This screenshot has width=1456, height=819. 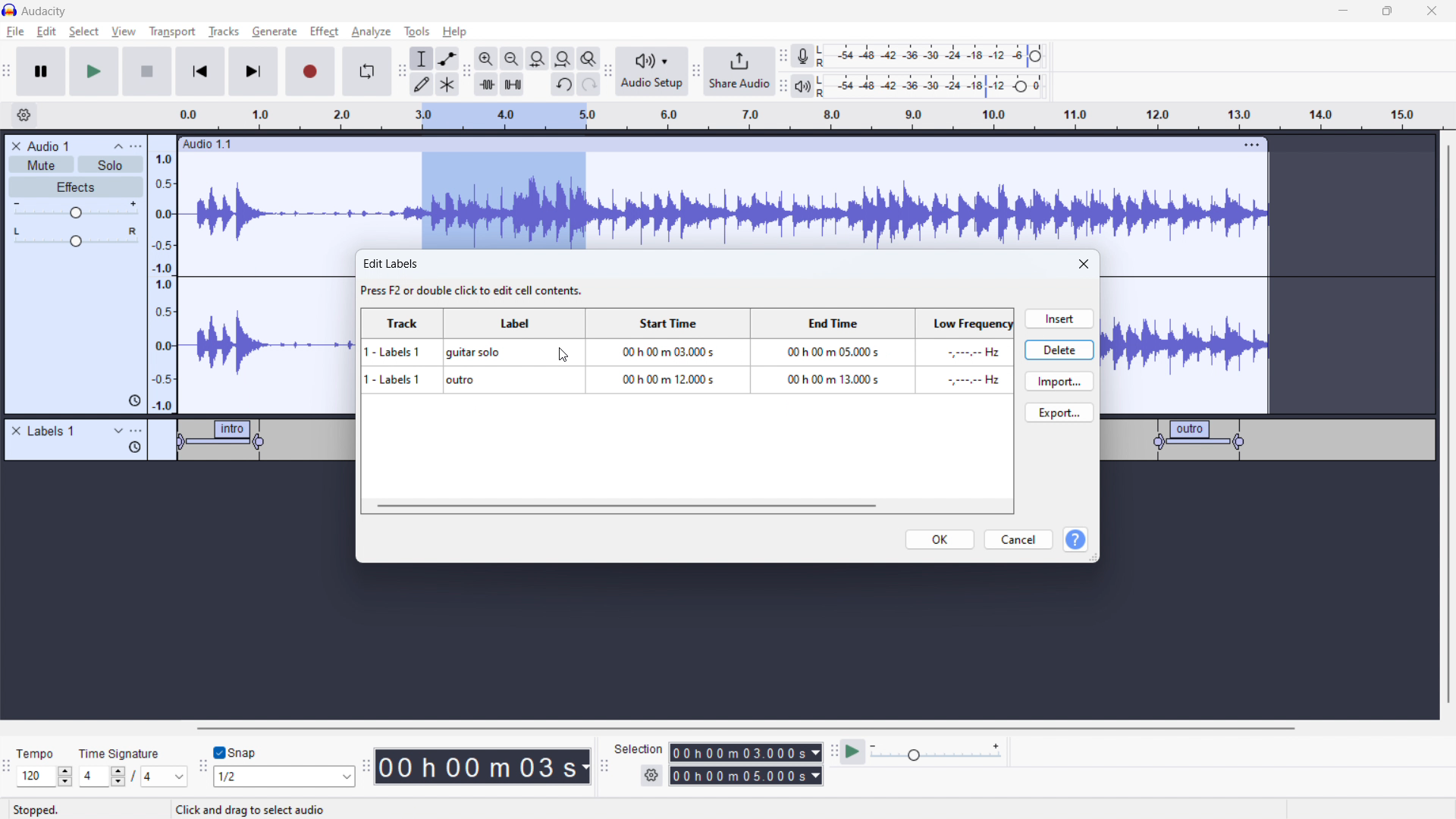 I want to click on time signature toolbar, so click(x=9, y=770).